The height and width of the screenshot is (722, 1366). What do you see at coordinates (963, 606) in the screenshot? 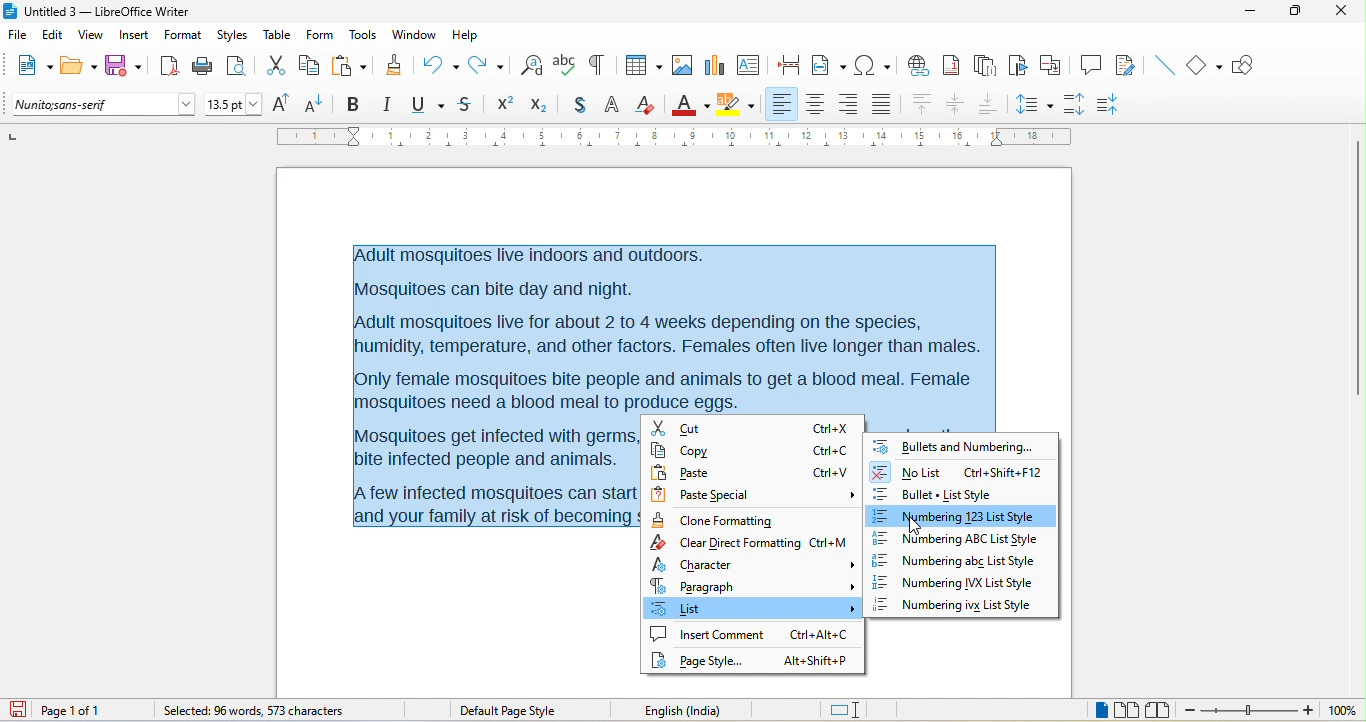
I see `numbering ivx list style` at bounding box center [963, 606].